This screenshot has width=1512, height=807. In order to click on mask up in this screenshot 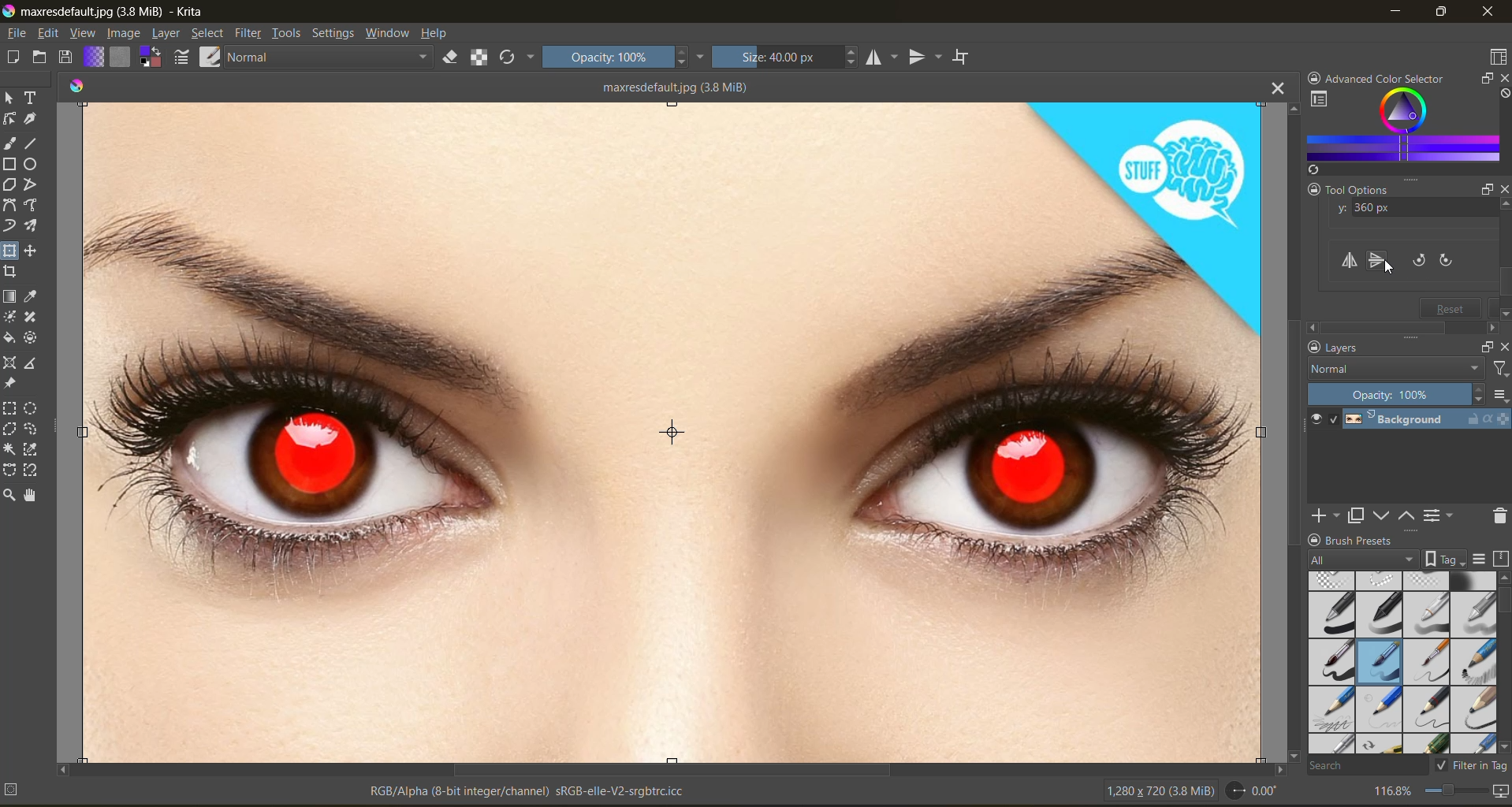, I will do `click(1410, 516)`.